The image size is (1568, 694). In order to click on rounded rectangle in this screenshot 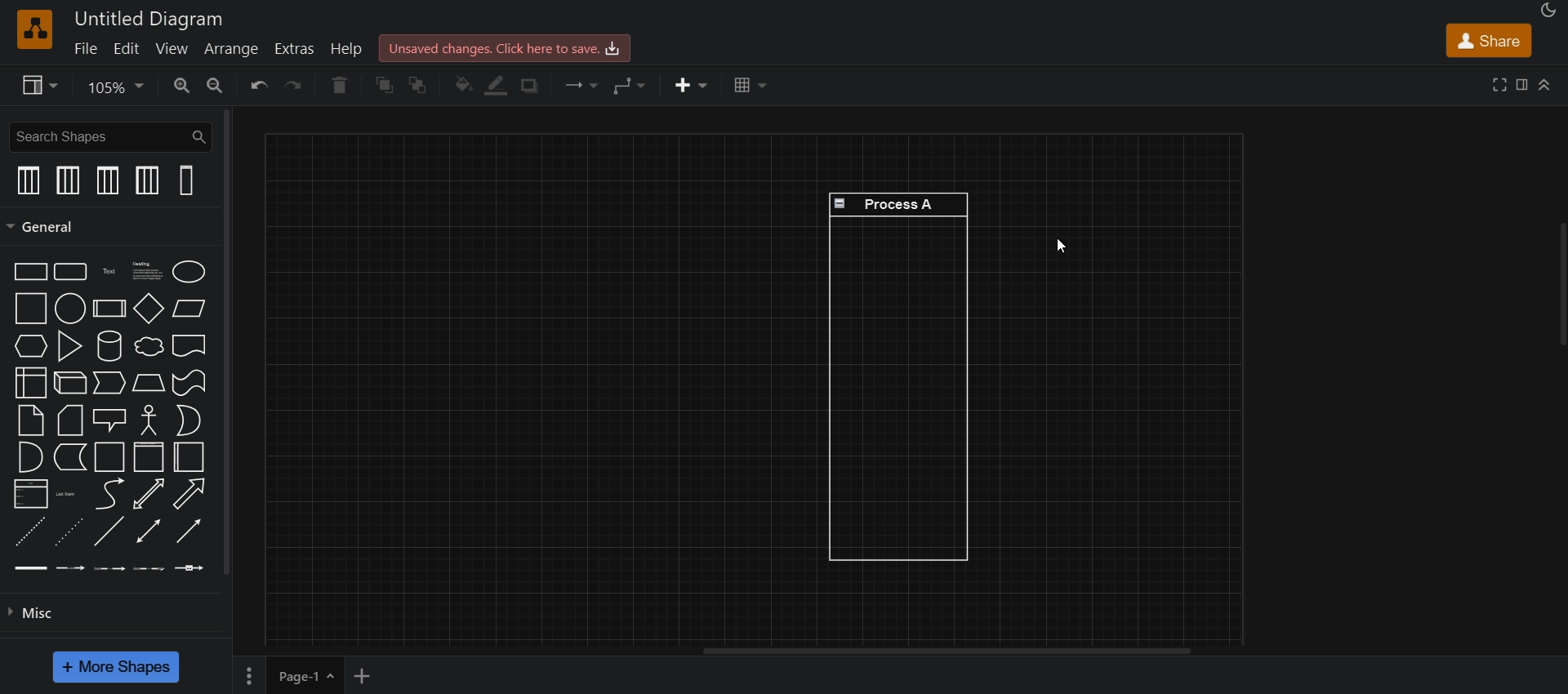, I will do `click(71, 273)`.